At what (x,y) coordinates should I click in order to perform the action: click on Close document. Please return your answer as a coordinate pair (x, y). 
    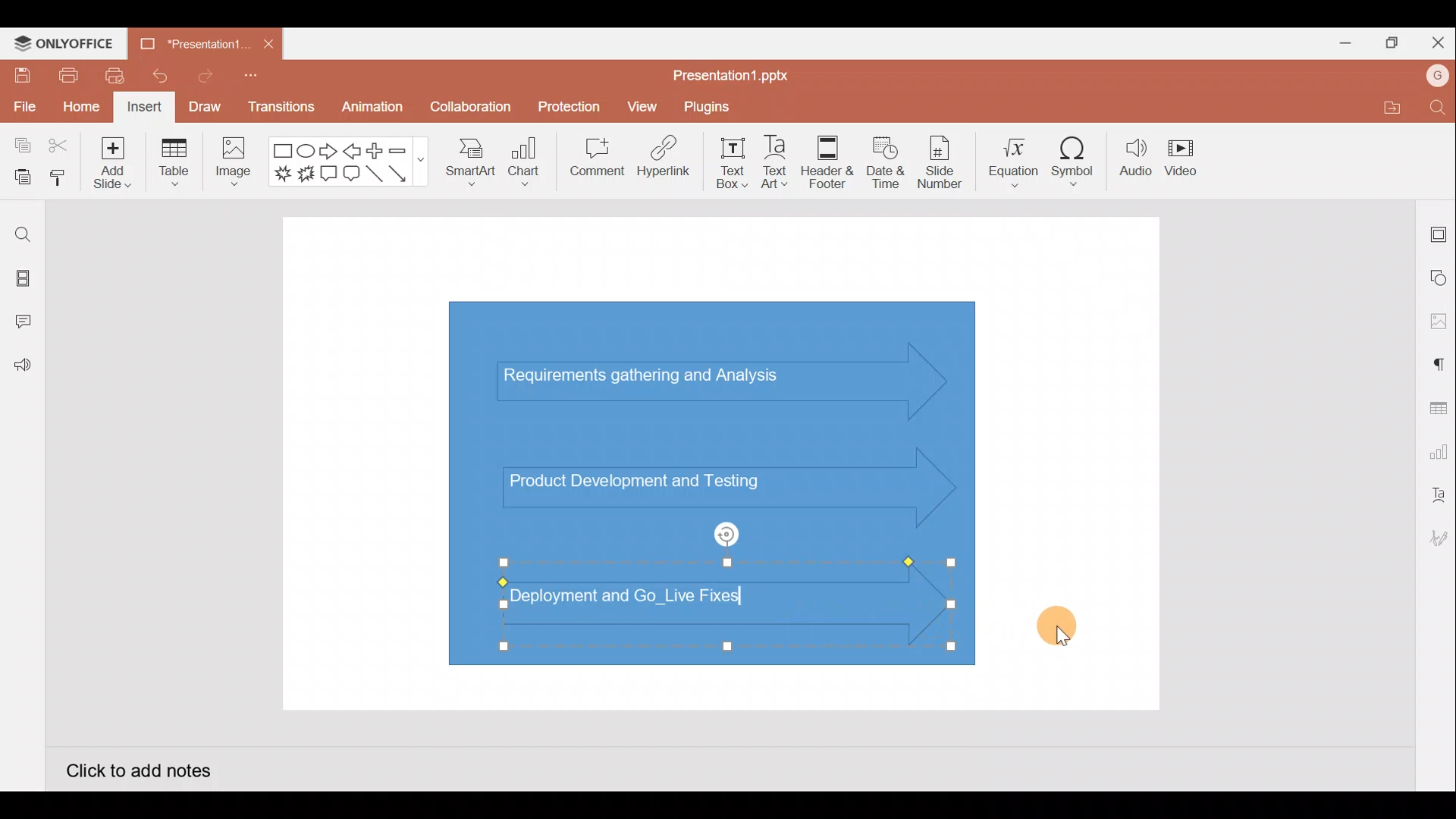
    Looking at the image, I should click on (268, 40).